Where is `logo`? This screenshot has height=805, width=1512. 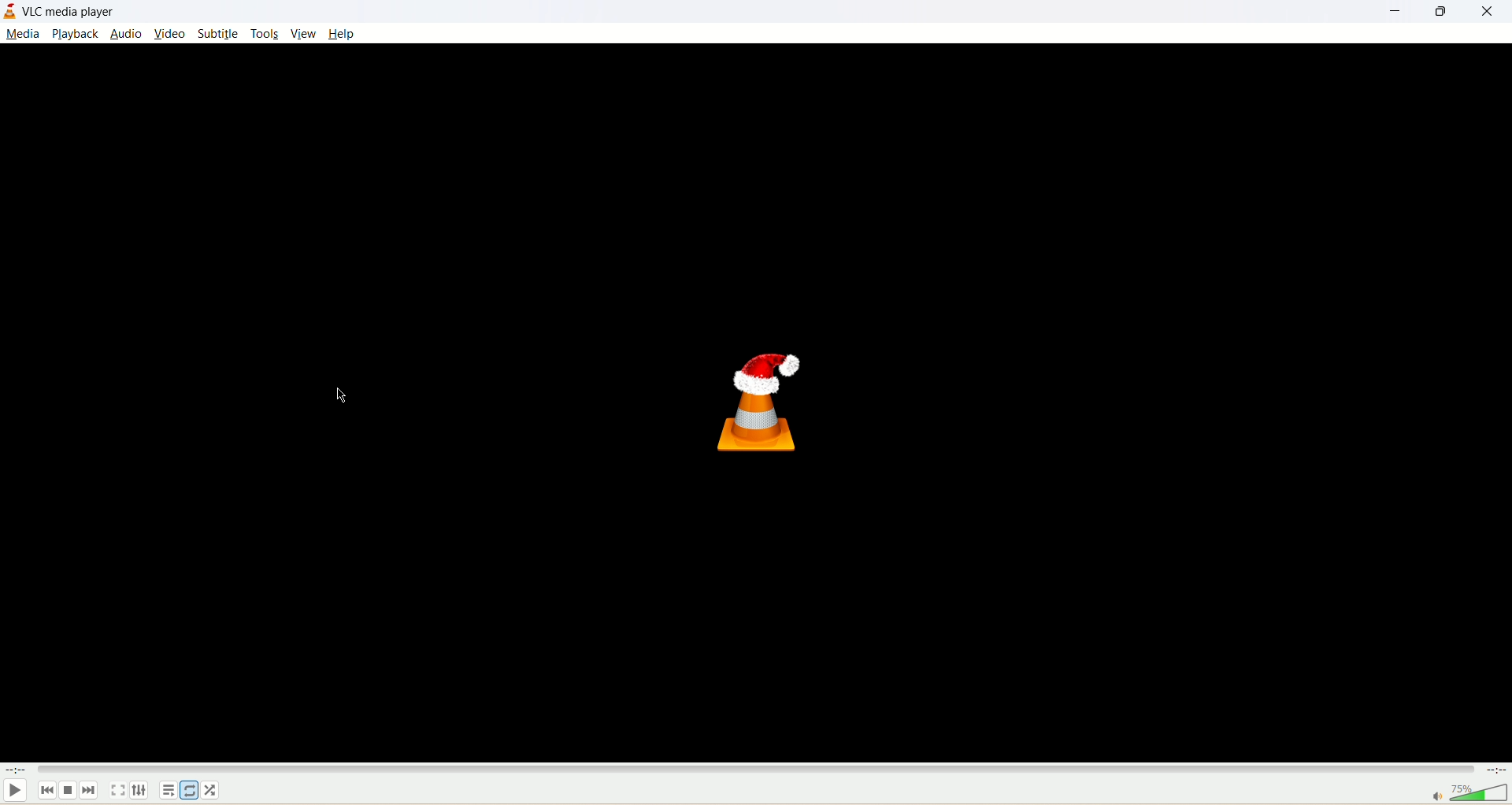 logo is located at coordinates (10, 11).